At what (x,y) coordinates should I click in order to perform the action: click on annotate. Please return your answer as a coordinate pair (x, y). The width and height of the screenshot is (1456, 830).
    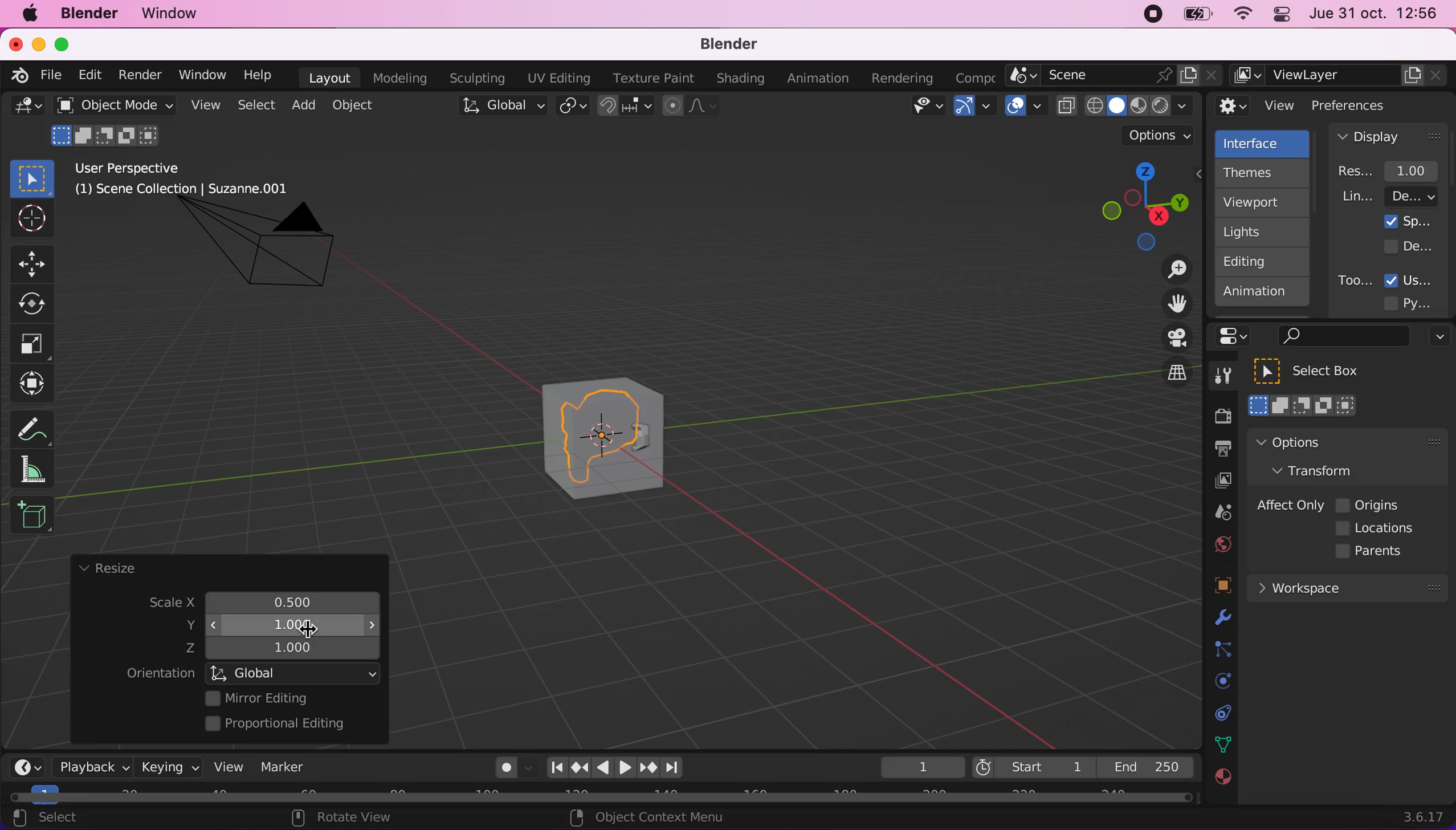
    Looking at the image, I should click on (37, 426).